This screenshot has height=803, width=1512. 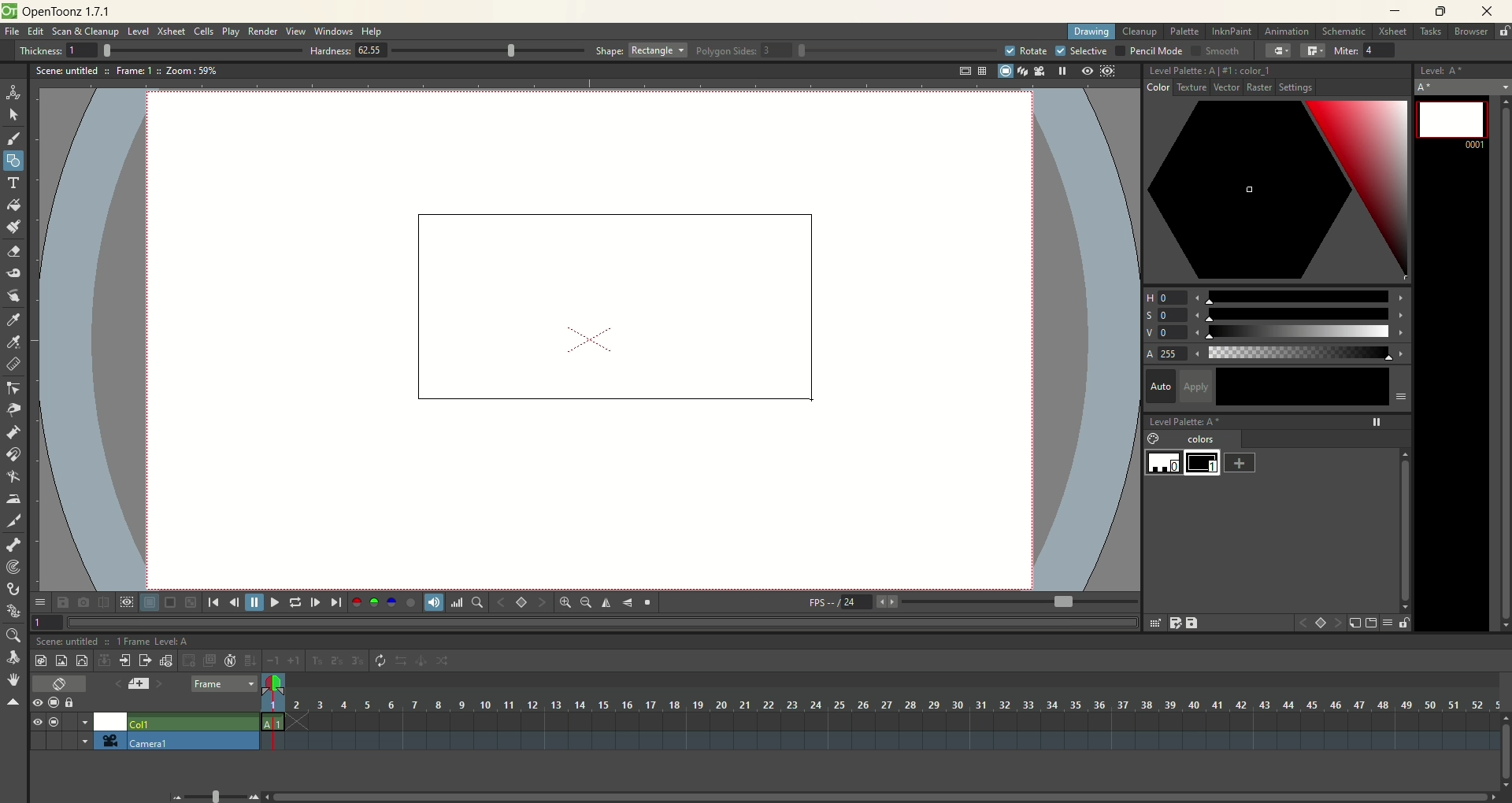 I want to click on reframe on 2's, so click(x=339, y=661).